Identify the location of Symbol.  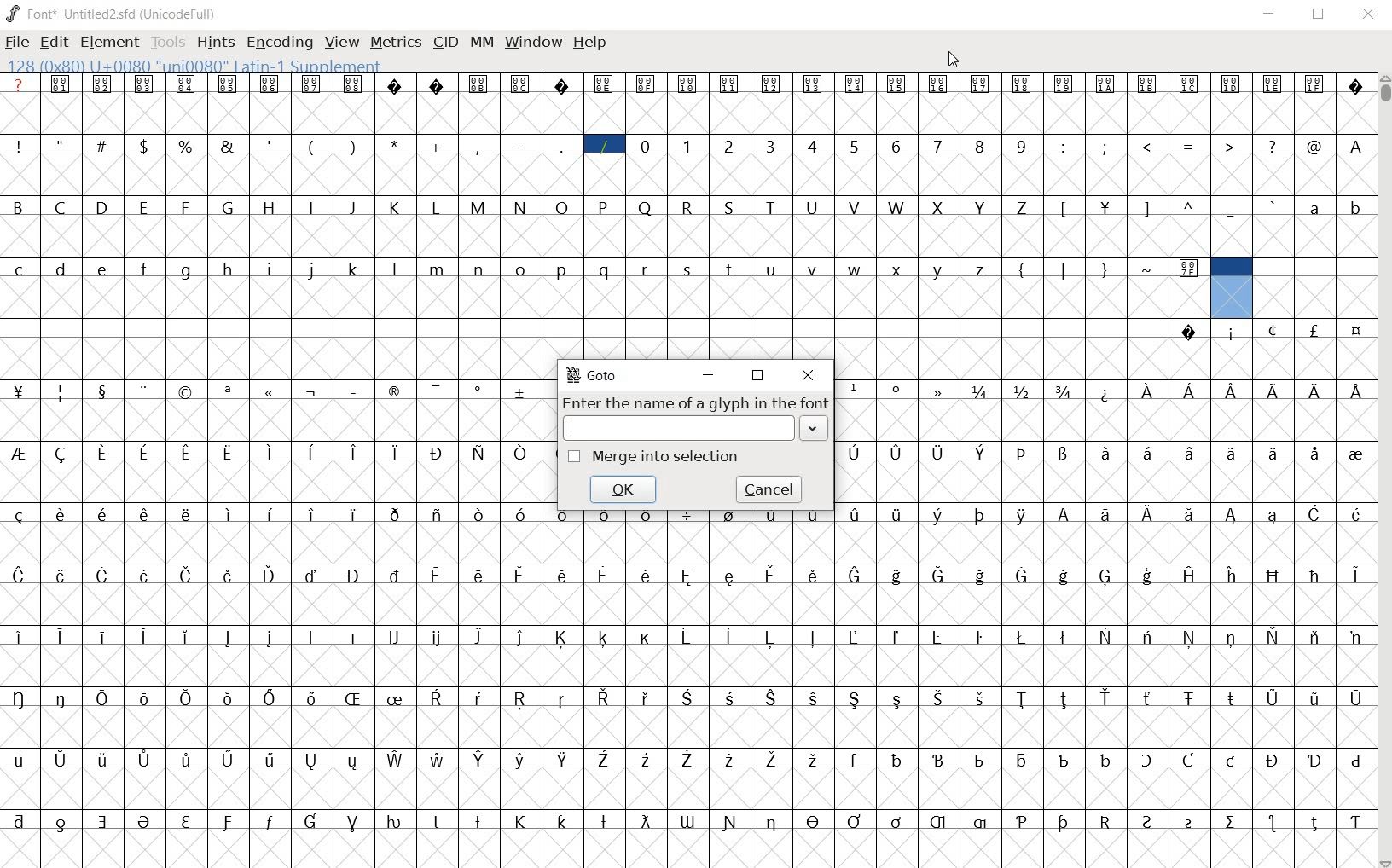
(146, 515).